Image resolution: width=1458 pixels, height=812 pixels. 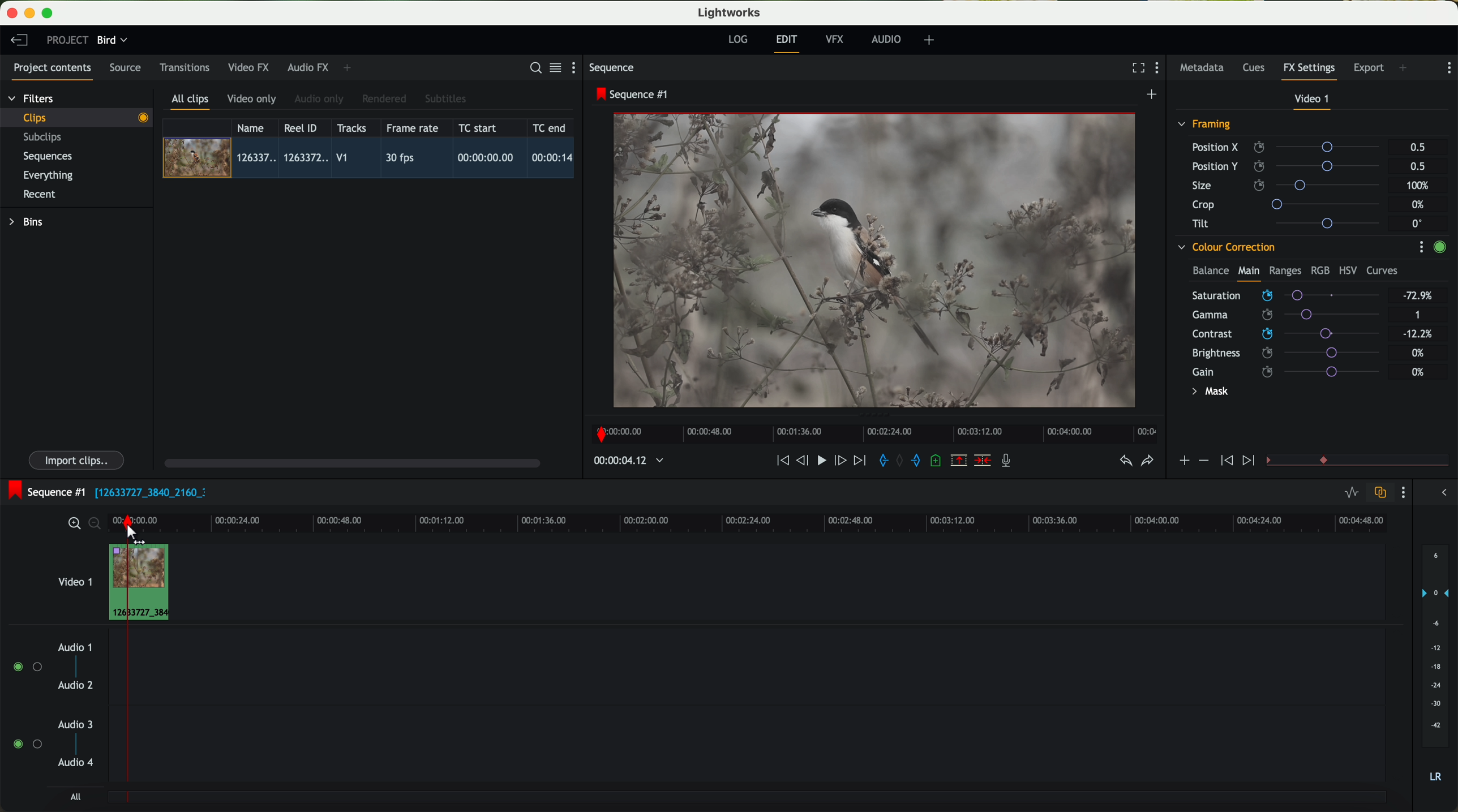 What do you see at coordinates (1249, 273) in the screenshot?
I see `main` at bounding box center [1249, 273].